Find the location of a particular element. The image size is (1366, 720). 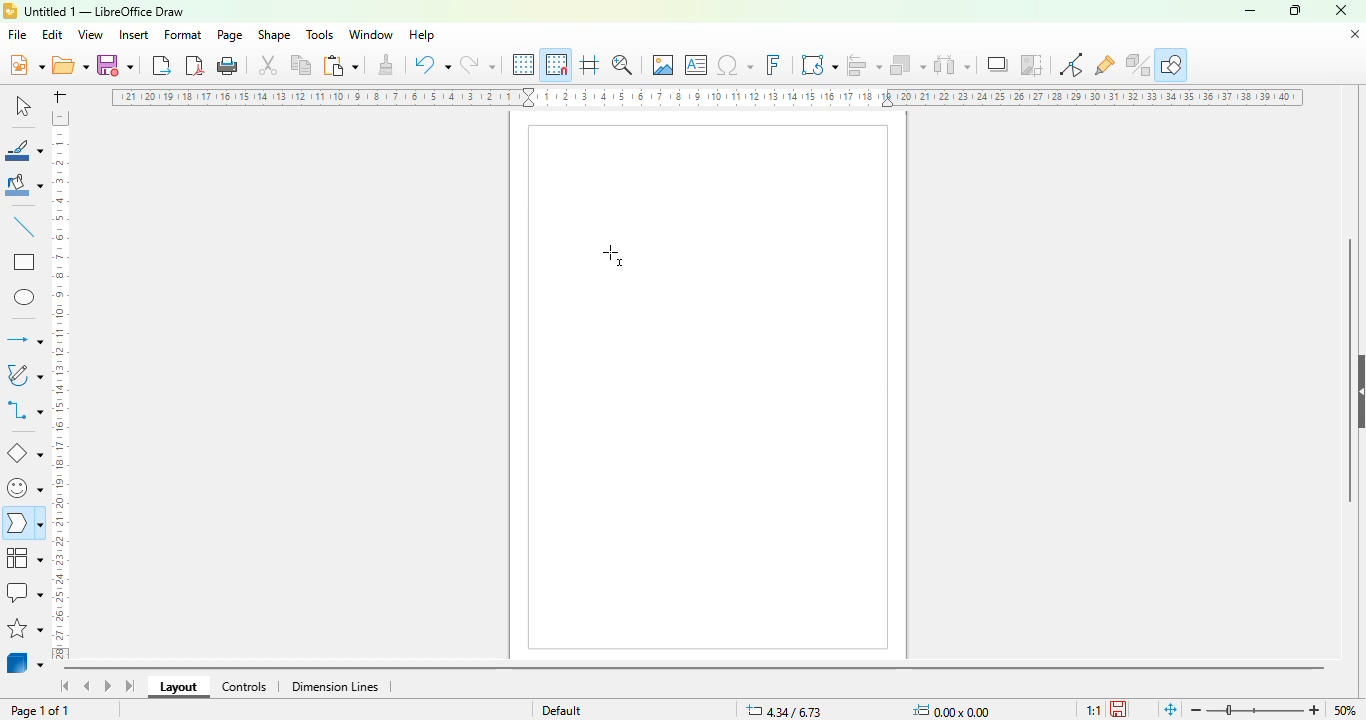

lines and arrows is located at coordinates (24, 339).